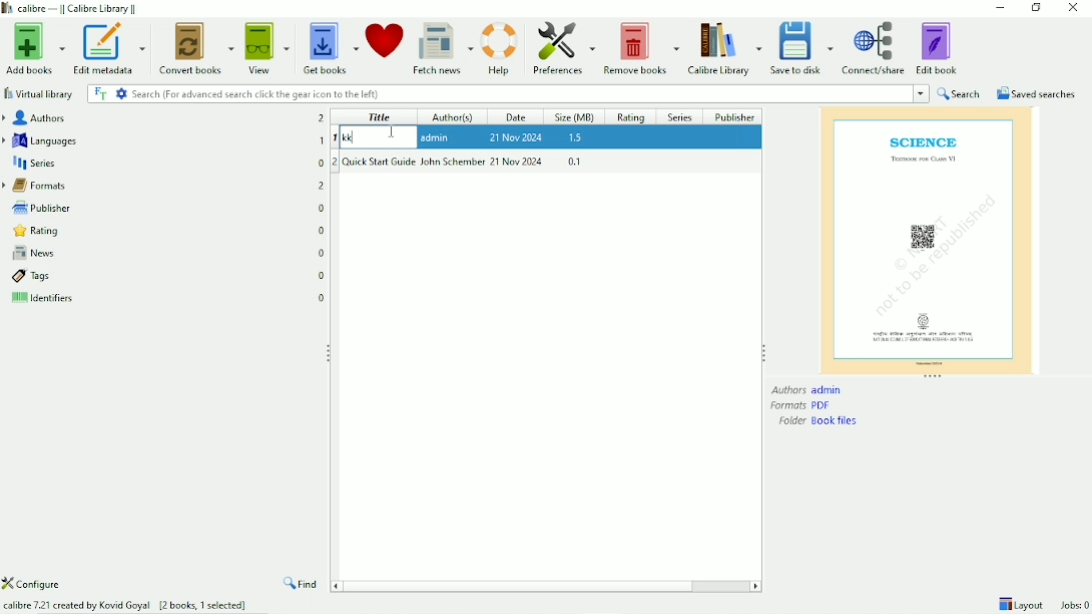 The image size is (1092, 614). I want to click on Identifiers, so click(40, 300).